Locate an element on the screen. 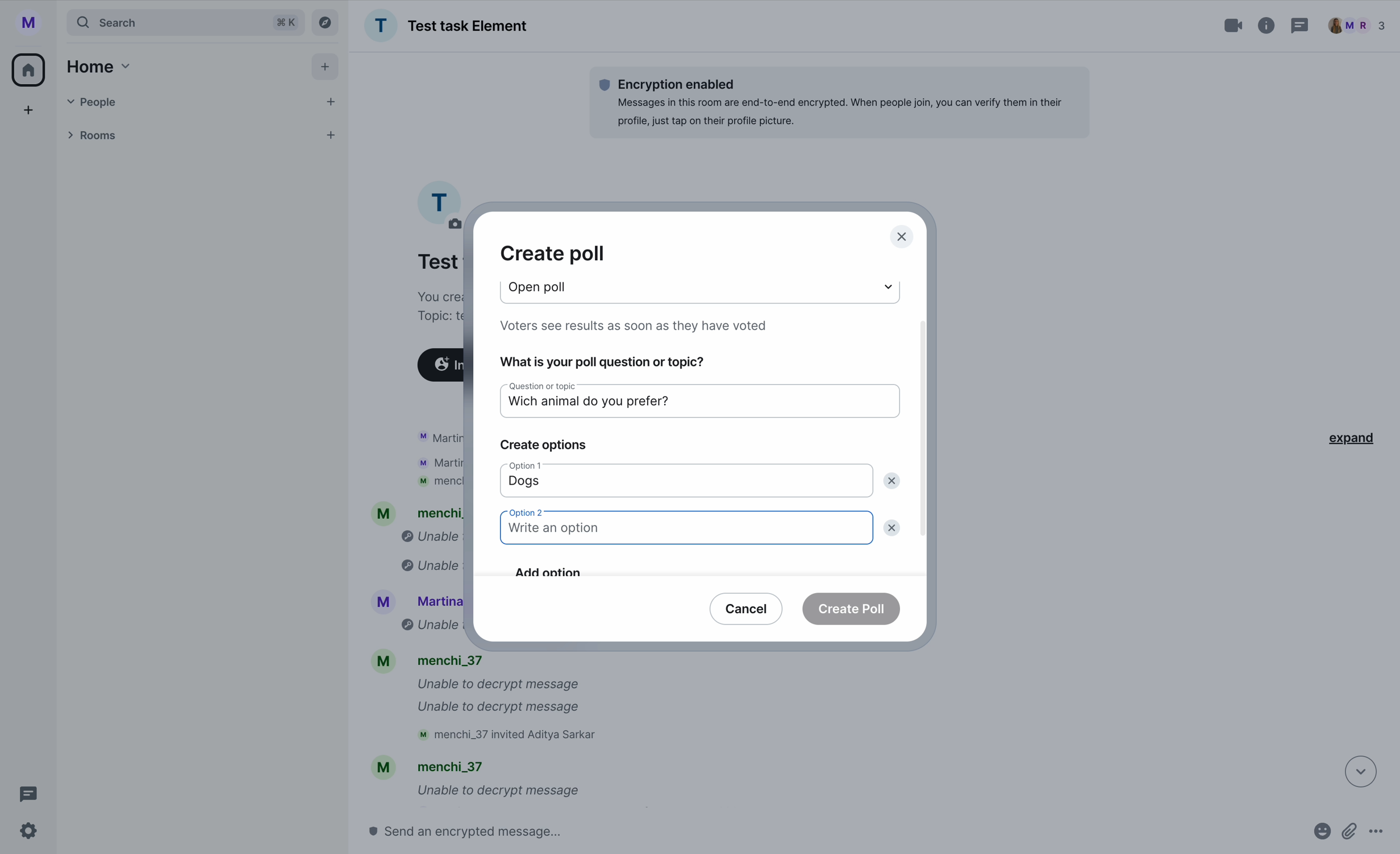  home is located at coordinates (96, 66).